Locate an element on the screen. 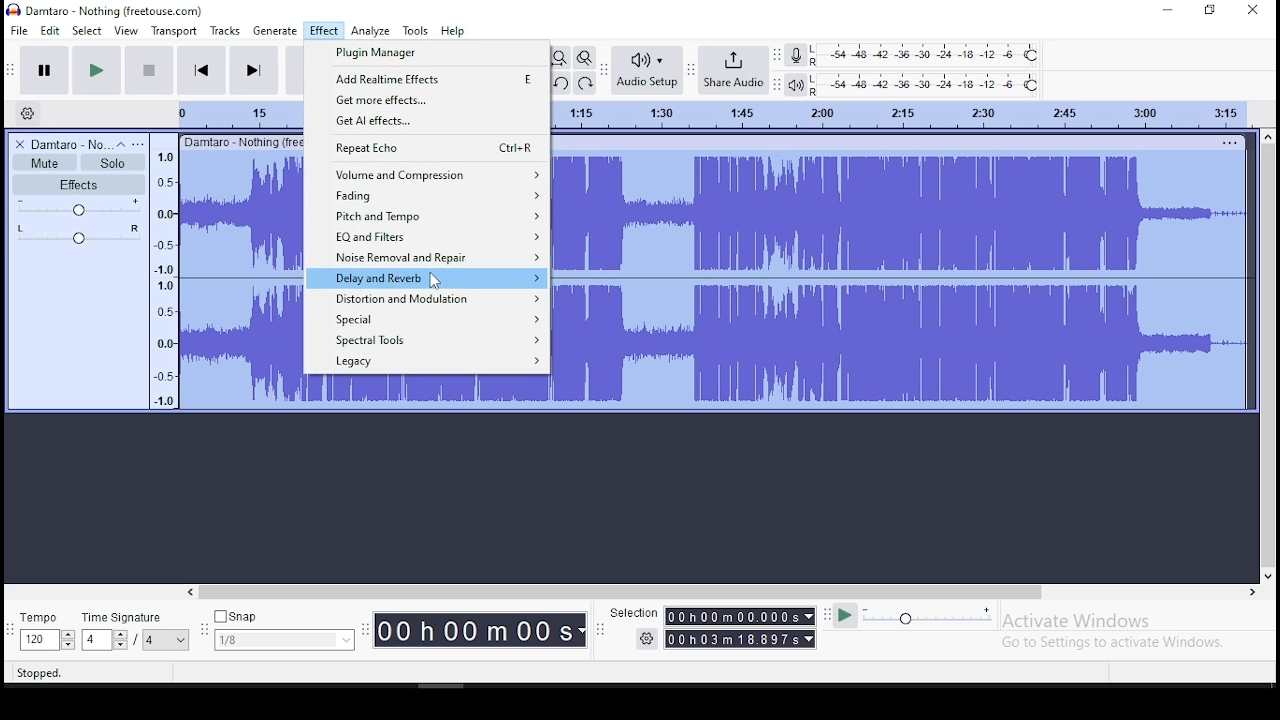 The height and width of the screenshot is (720, 1280). edit is located at coordinates (52, 30).